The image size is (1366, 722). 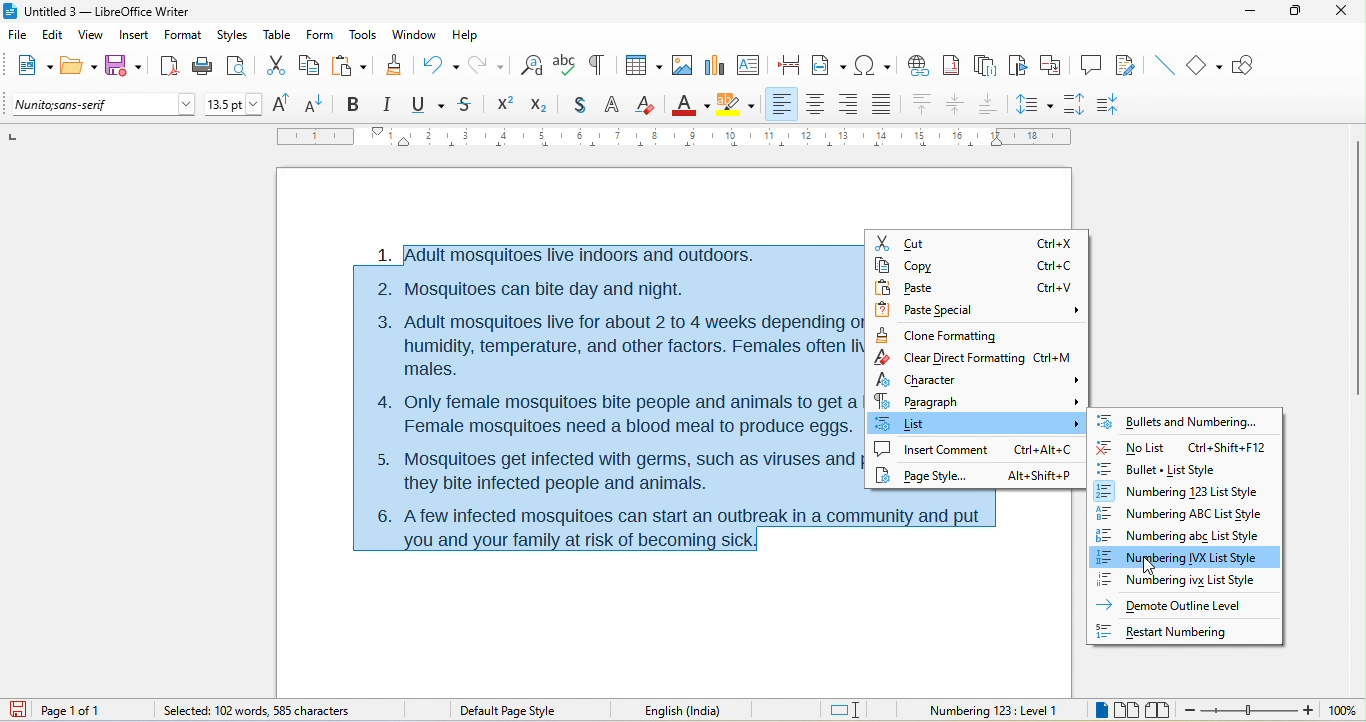 What do you see at coordinates (601, 65) in the screenshot?
I see `toggle formatting marks` at bounding box center [601, 65].